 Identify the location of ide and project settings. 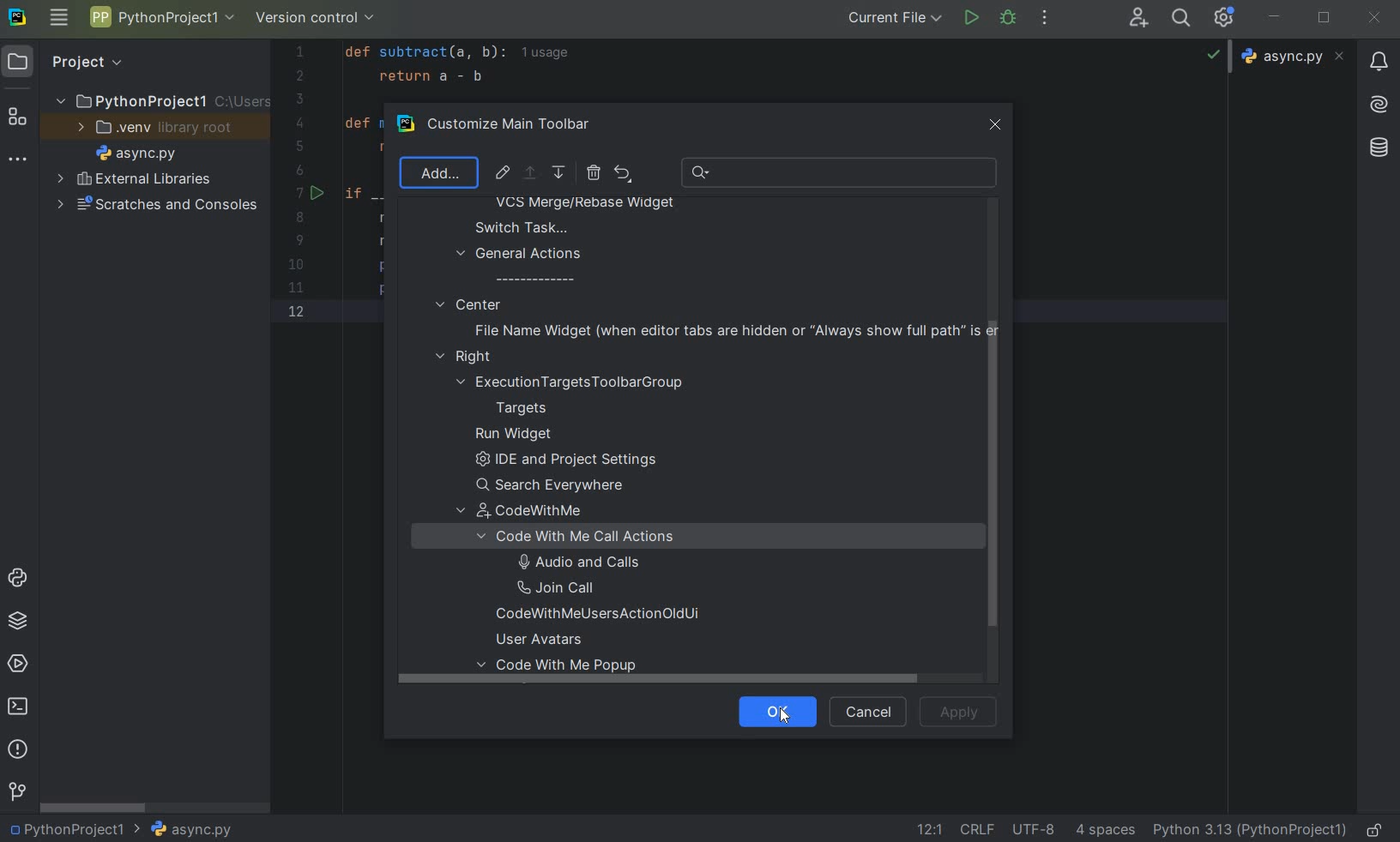
(563, 462).